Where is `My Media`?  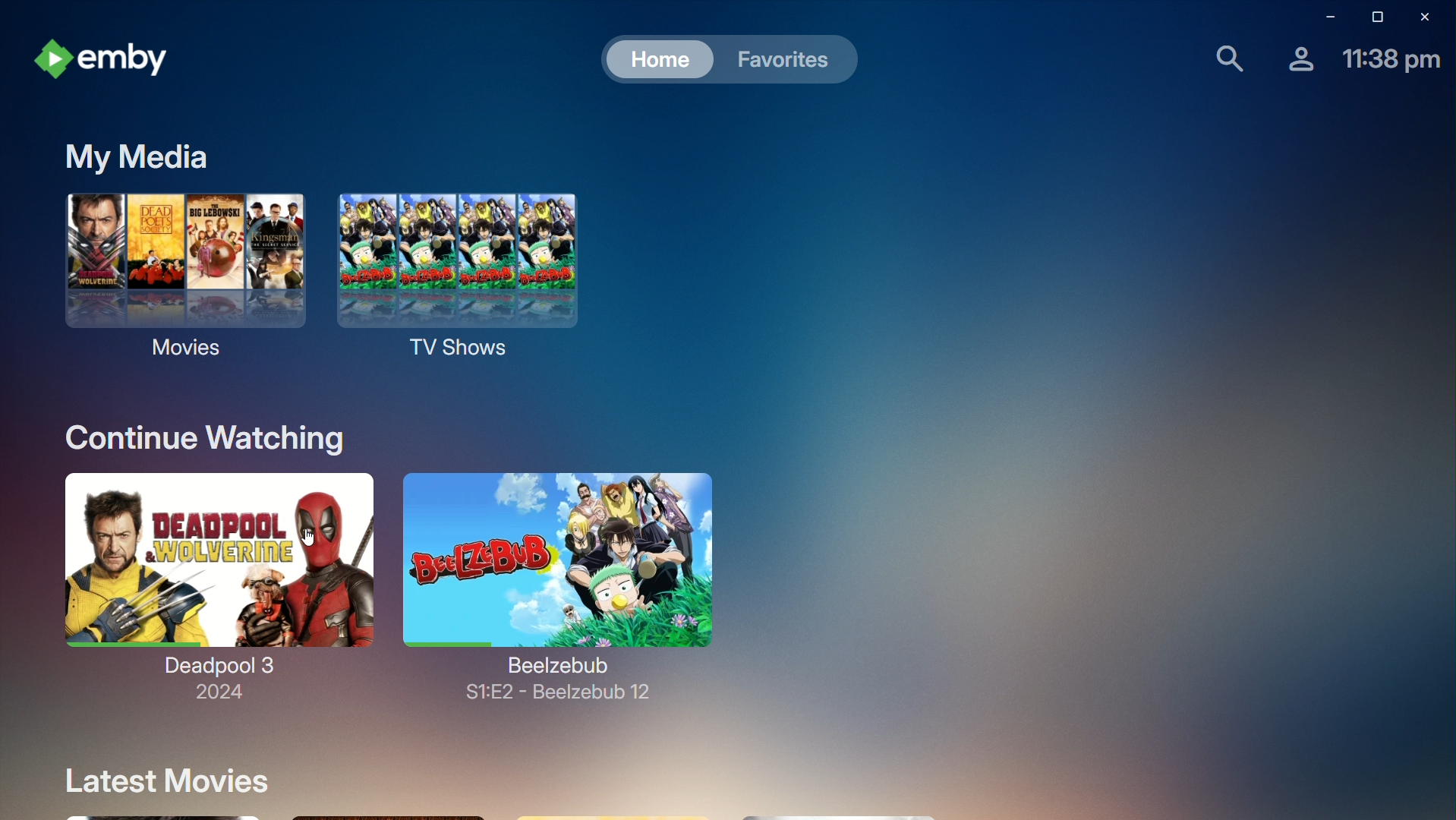
My Media is located at coordinates (128, 153).